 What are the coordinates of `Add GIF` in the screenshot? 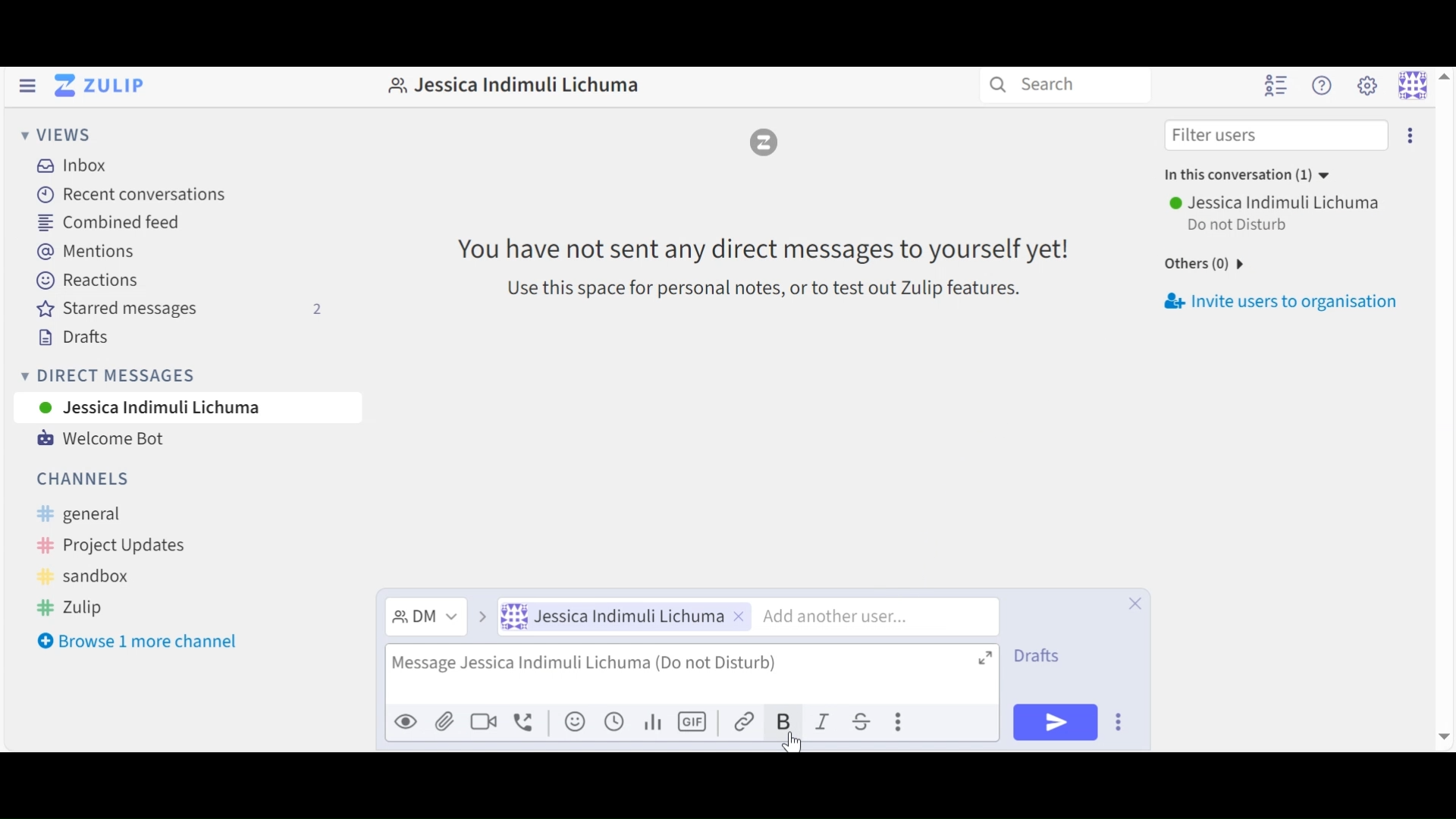 It's located at (694, 721).